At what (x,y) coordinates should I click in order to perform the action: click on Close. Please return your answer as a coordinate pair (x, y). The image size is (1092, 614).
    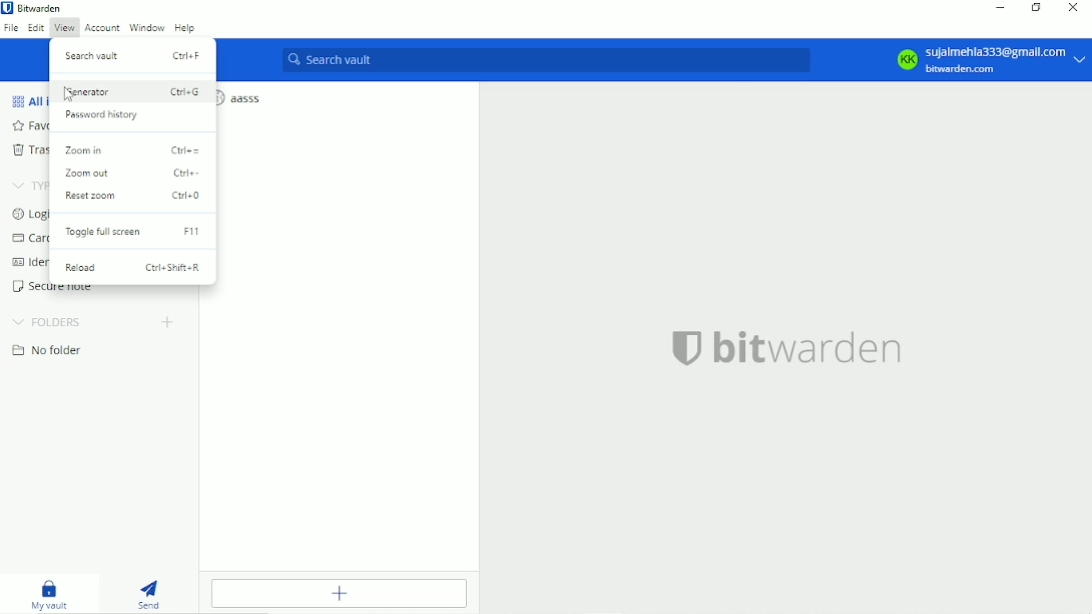
    Looking at the image, I should click on (1073, 8).